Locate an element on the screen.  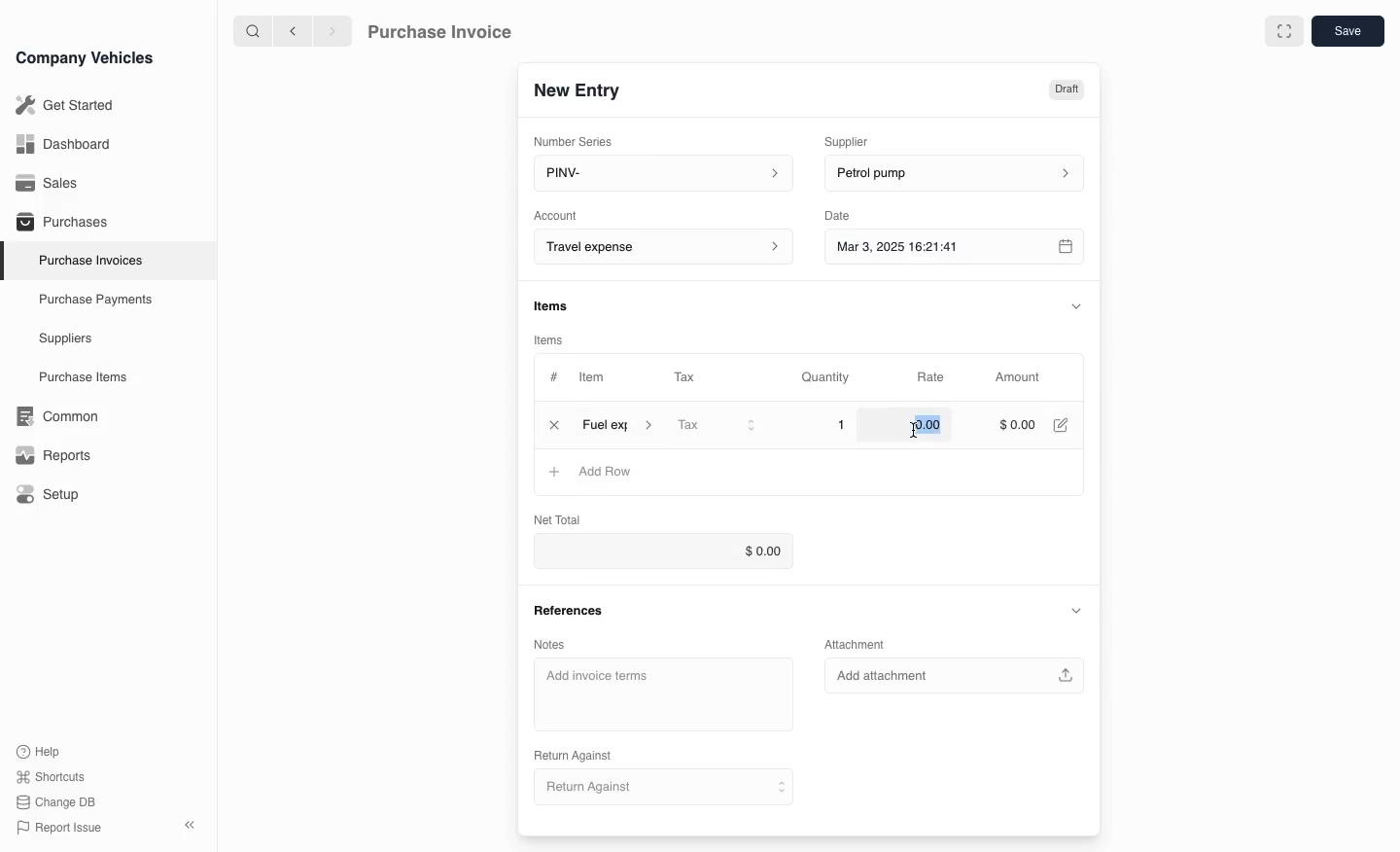
Tax is located at coordinates (693, 378).